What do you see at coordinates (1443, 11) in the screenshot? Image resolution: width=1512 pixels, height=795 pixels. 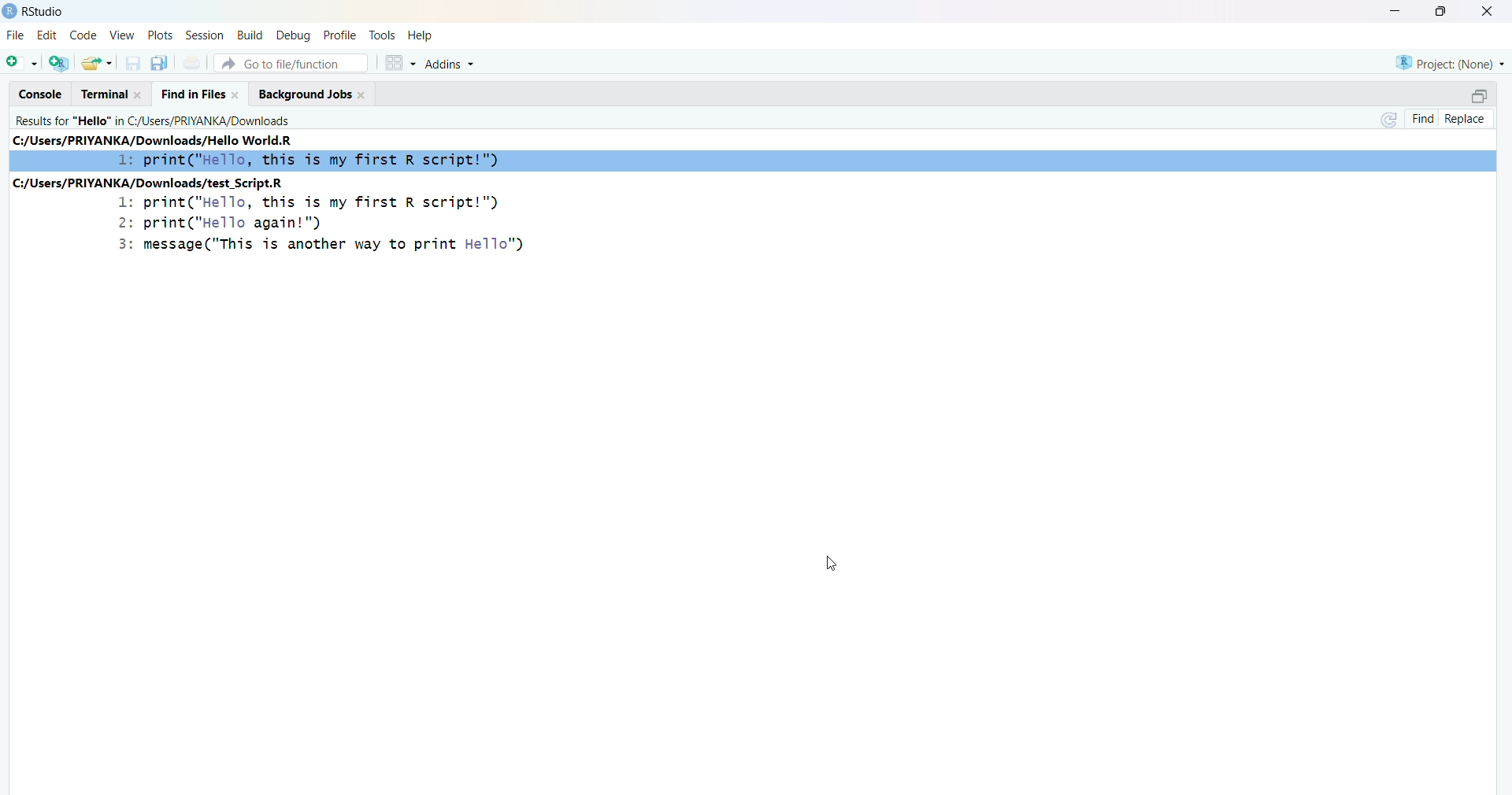 I see `maximise` at bounding box center [1443, 11].